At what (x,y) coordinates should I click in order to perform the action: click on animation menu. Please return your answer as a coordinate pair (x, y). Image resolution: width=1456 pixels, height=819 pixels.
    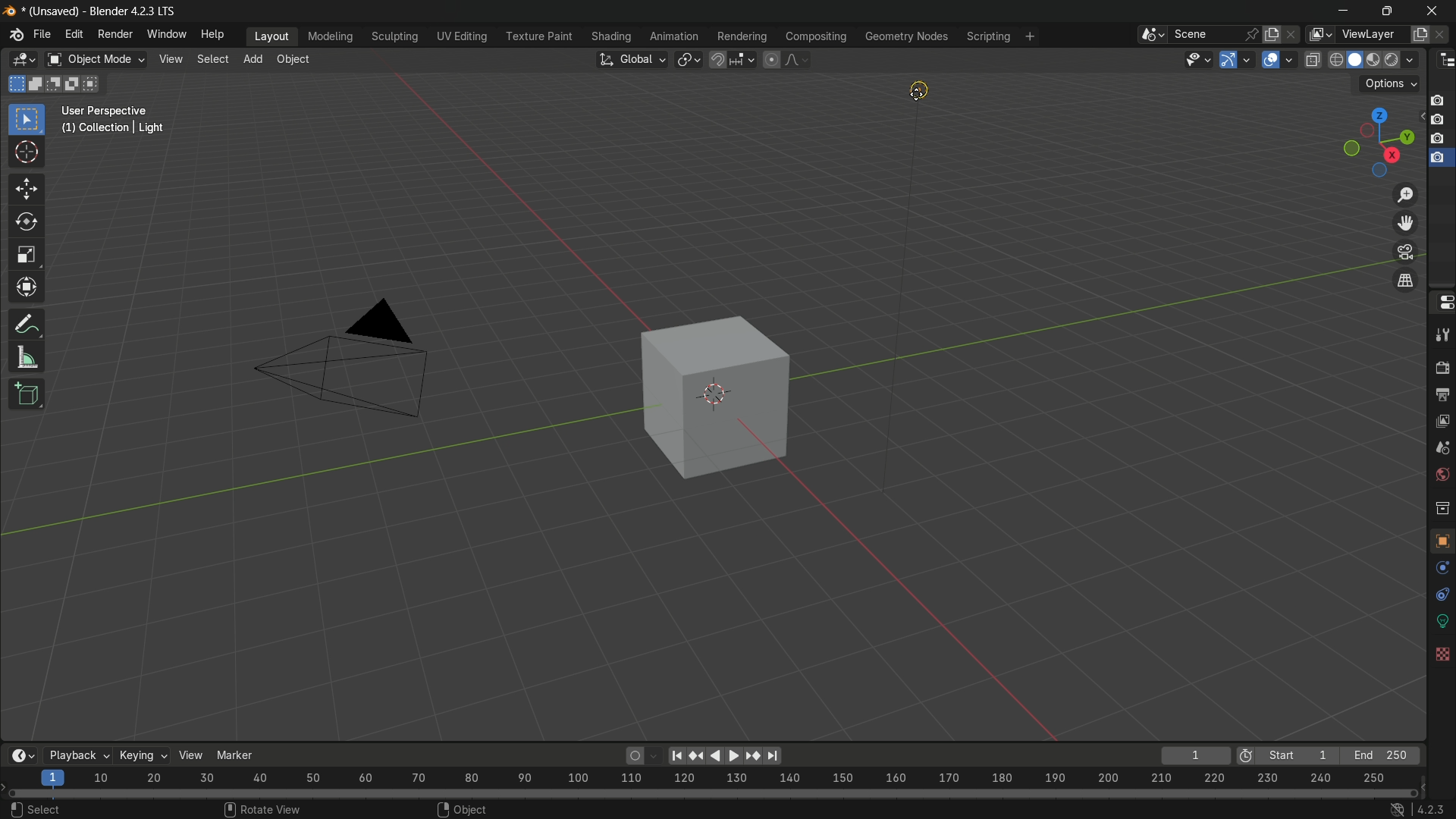
    Looking at the image, I should click on (675, 36).